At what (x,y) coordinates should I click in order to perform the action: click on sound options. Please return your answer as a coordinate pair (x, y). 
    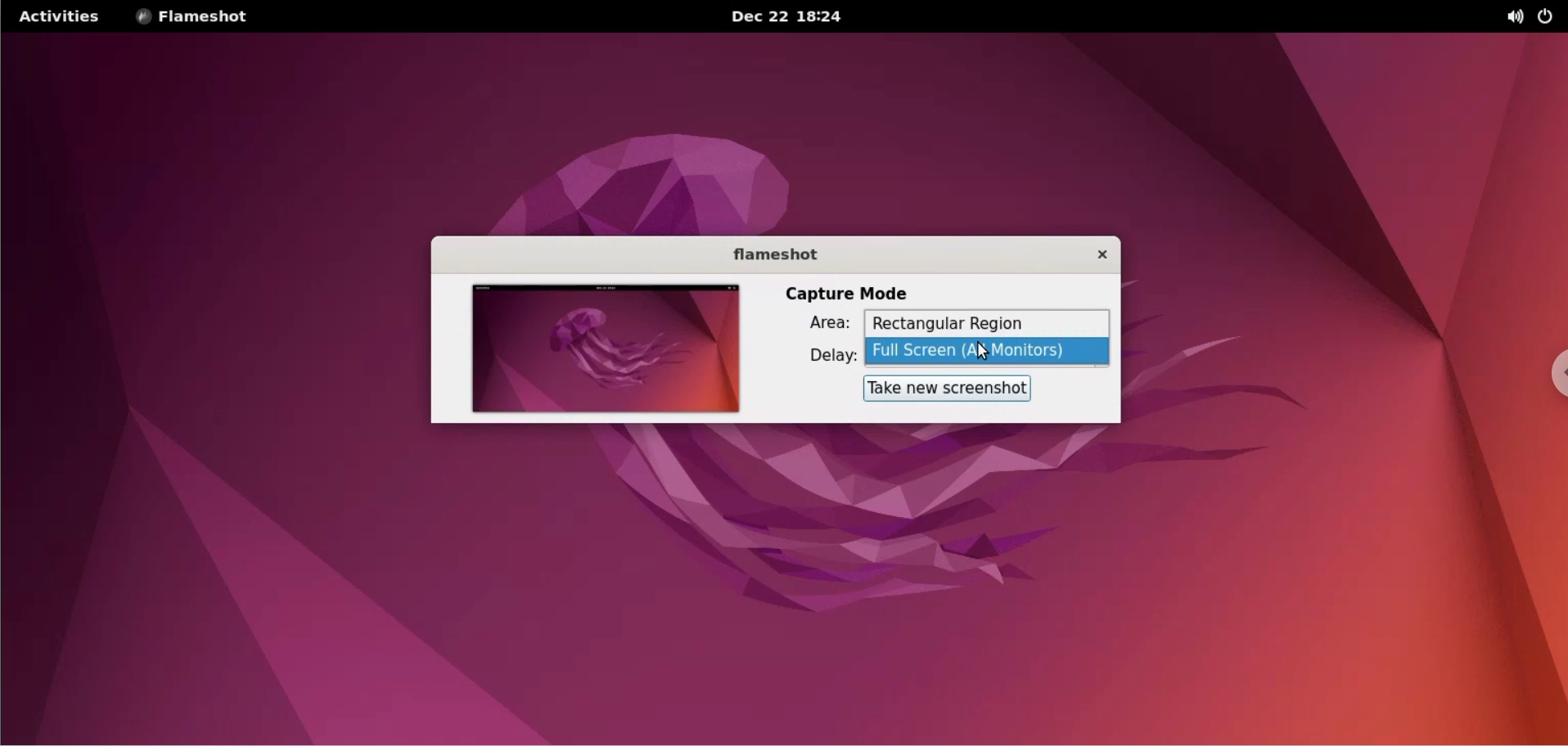
    Looking at the image, I should click on (1512, 17).